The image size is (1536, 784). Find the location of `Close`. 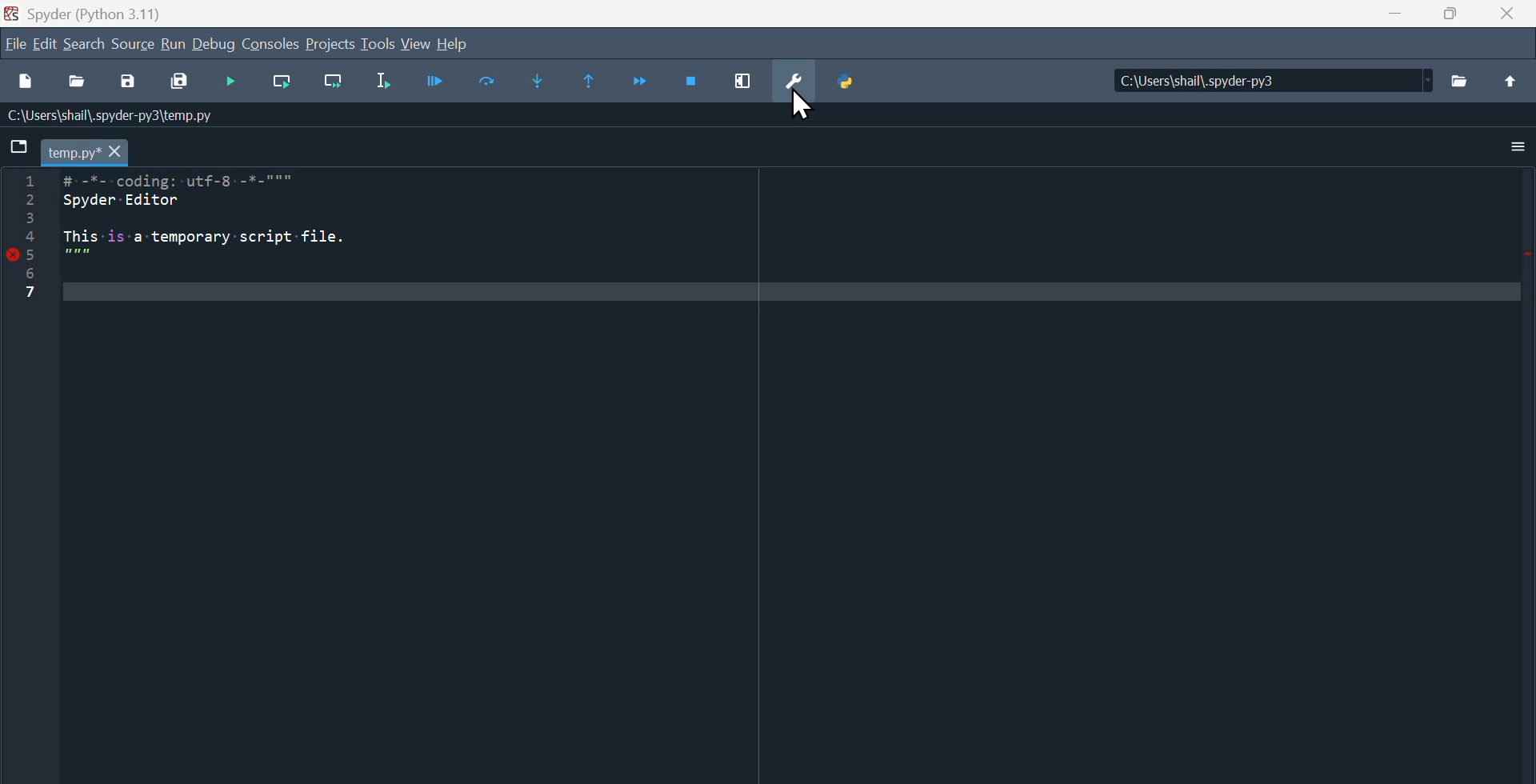

Close is located at coordinates (1512, 19).